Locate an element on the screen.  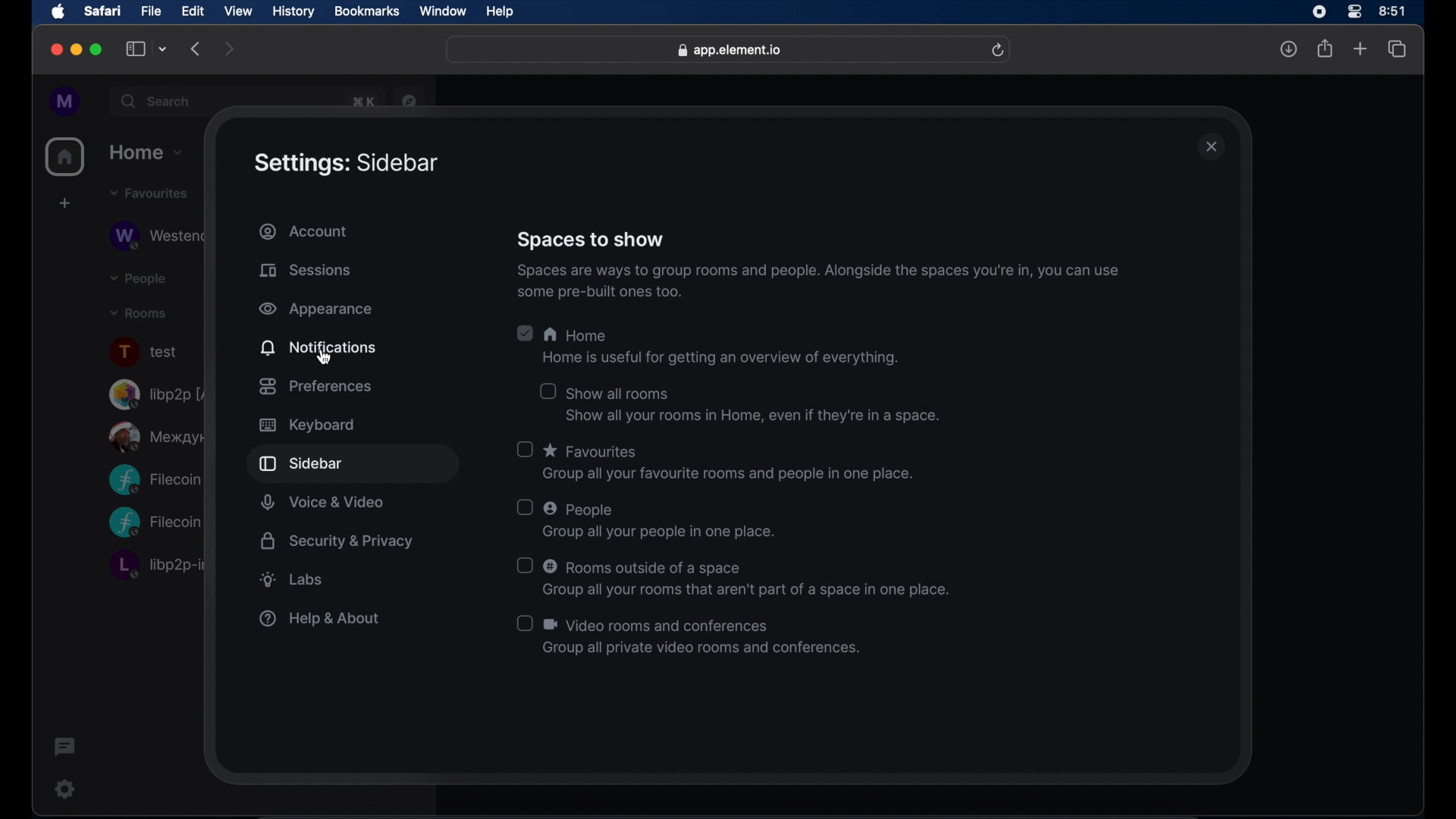
Filecooin is located at coordinates (154, 522).